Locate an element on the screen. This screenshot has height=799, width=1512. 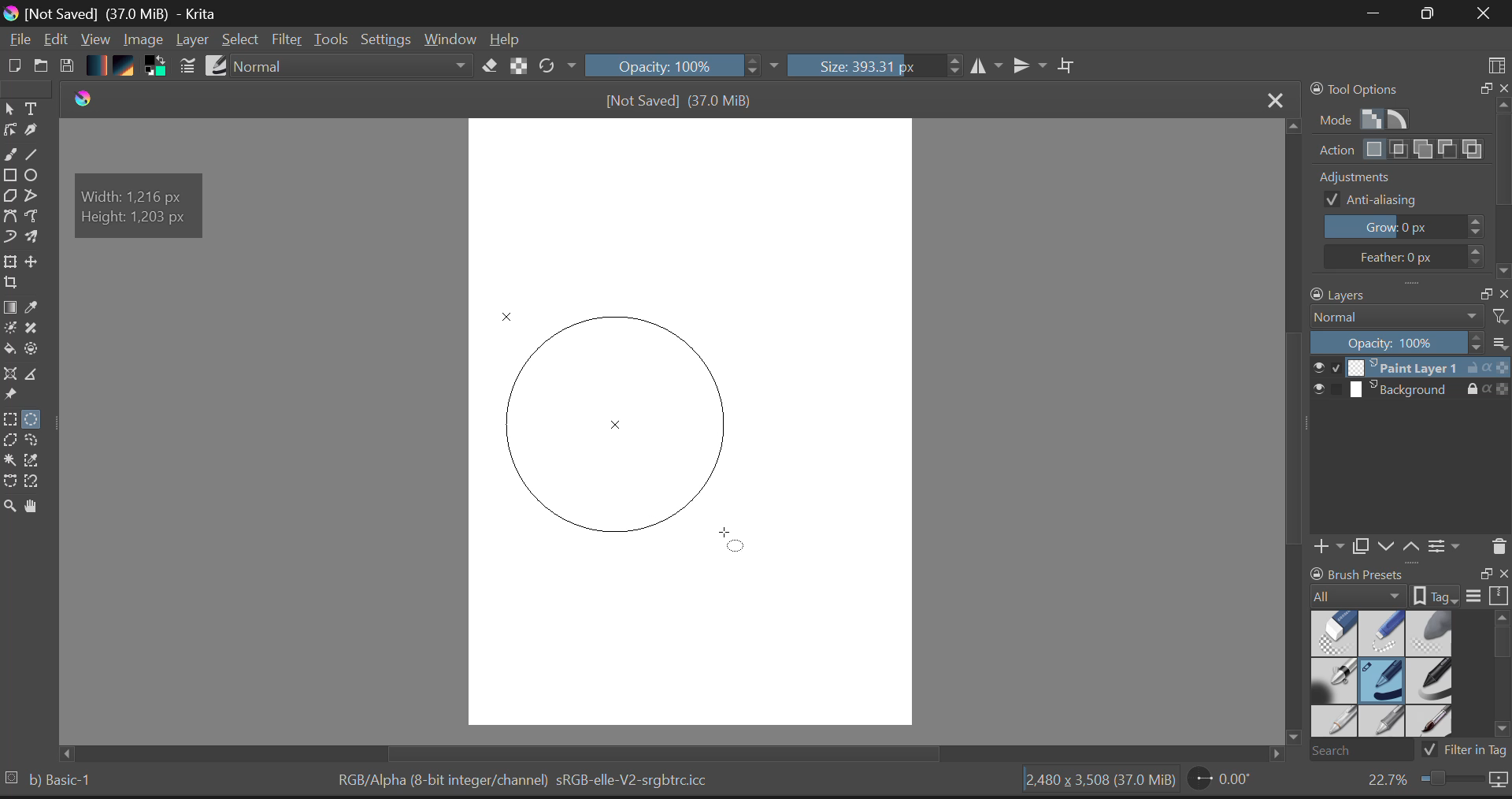
Transform Layers is located at coordinates (13, 262).